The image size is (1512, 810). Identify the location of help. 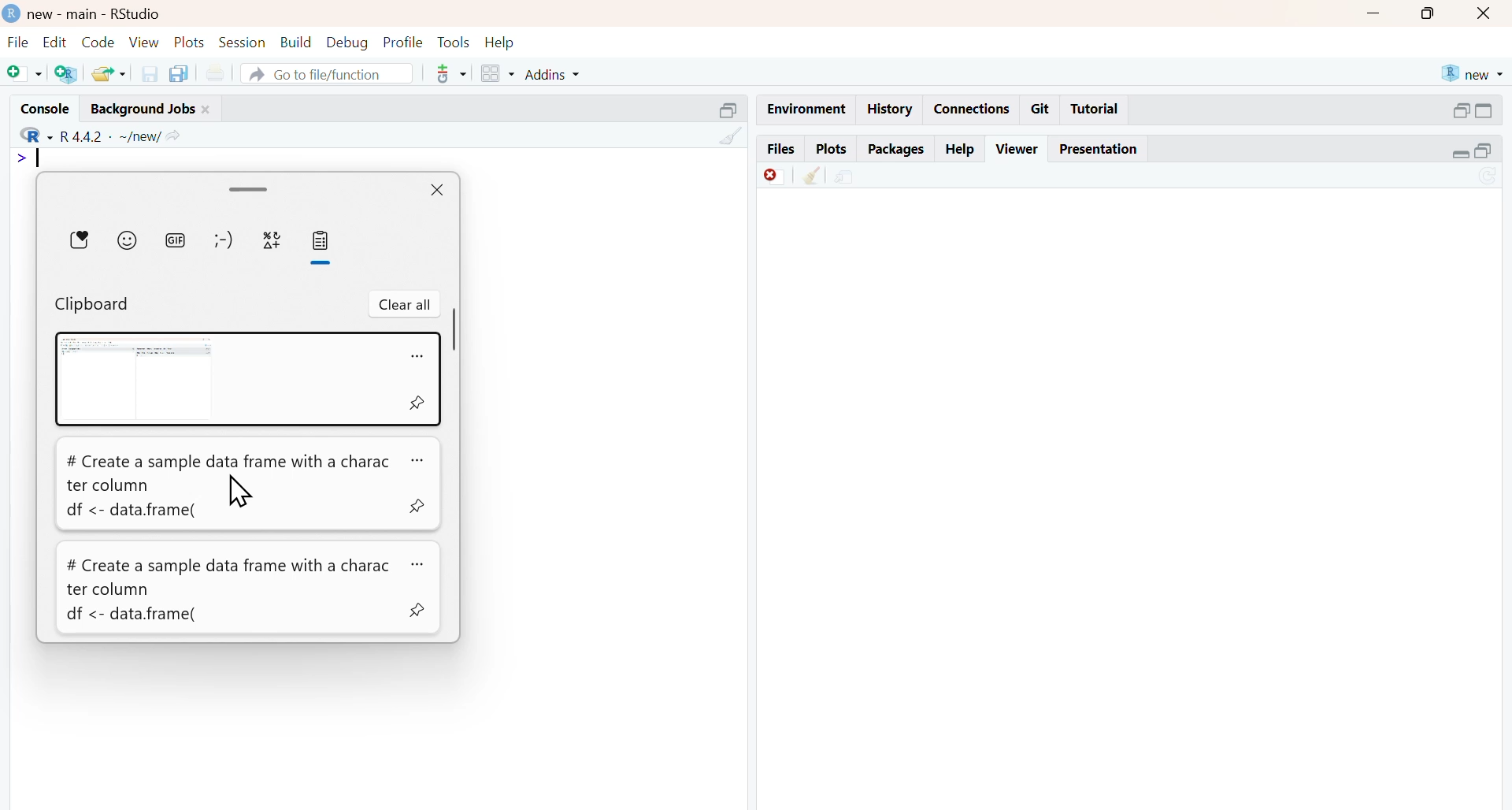
(961, 149).